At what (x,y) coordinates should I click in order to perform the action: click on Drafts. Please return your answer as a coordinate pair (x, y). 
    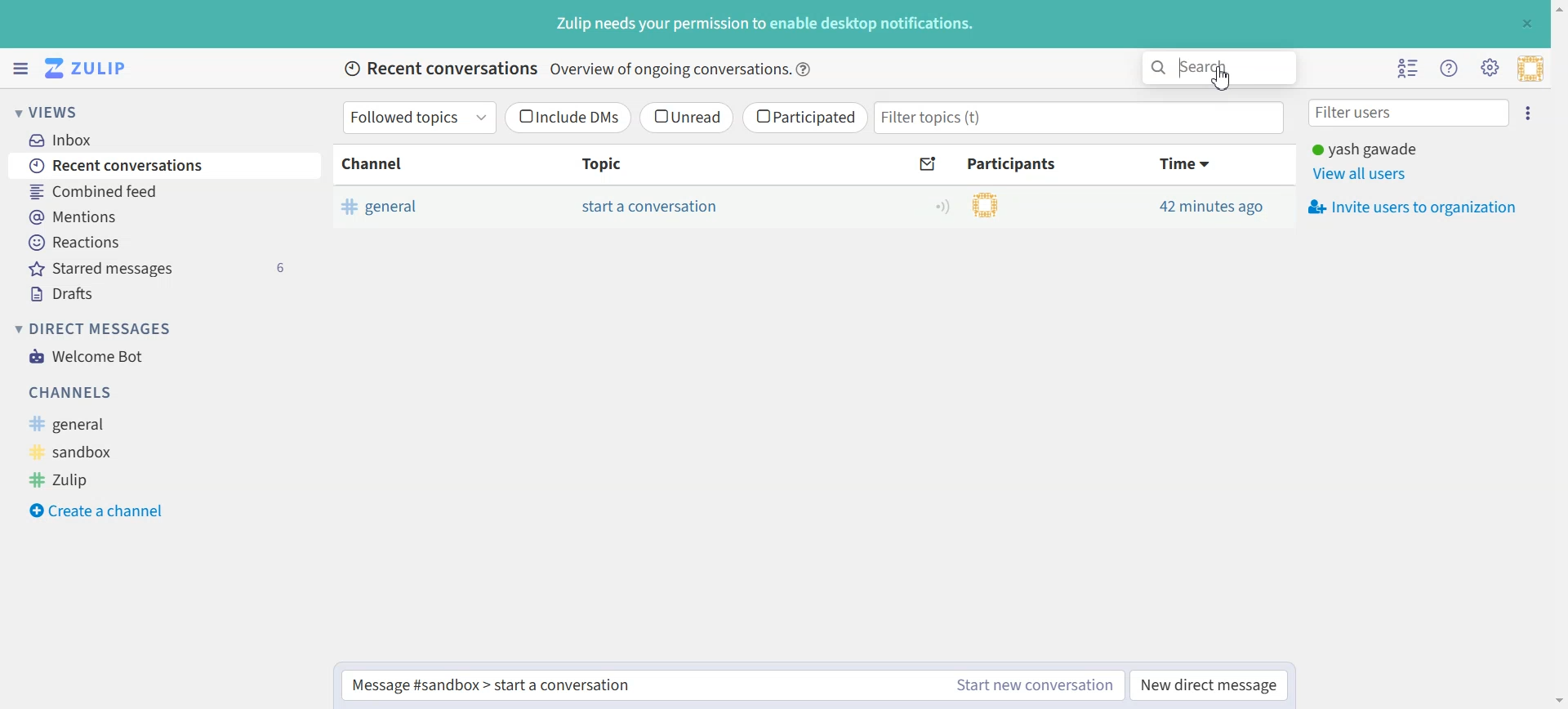
    Looking at the image, I should click on (162, 292).